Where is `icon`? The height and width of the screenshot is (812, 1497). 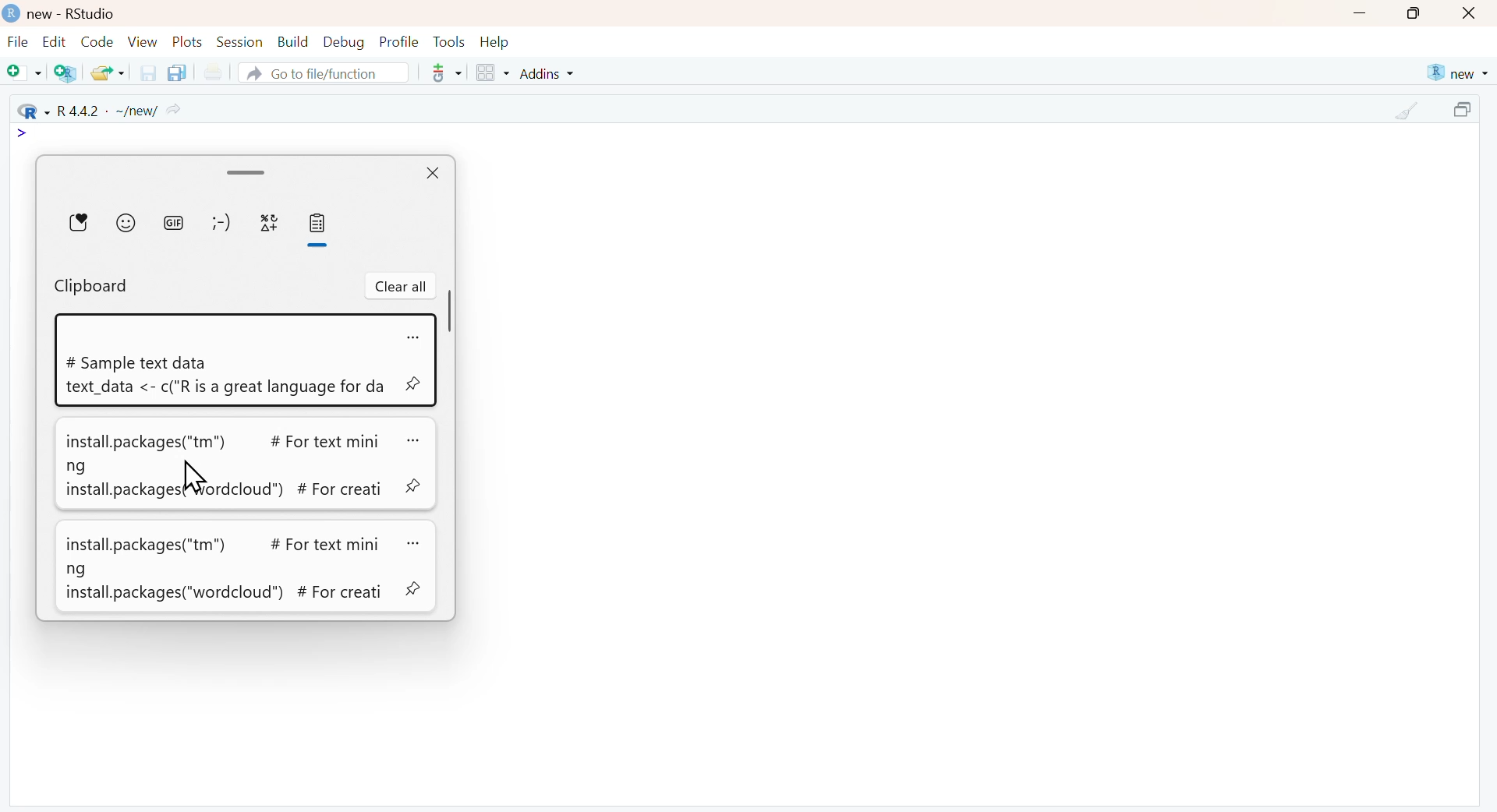 icon is located at coordinates (23, 133).